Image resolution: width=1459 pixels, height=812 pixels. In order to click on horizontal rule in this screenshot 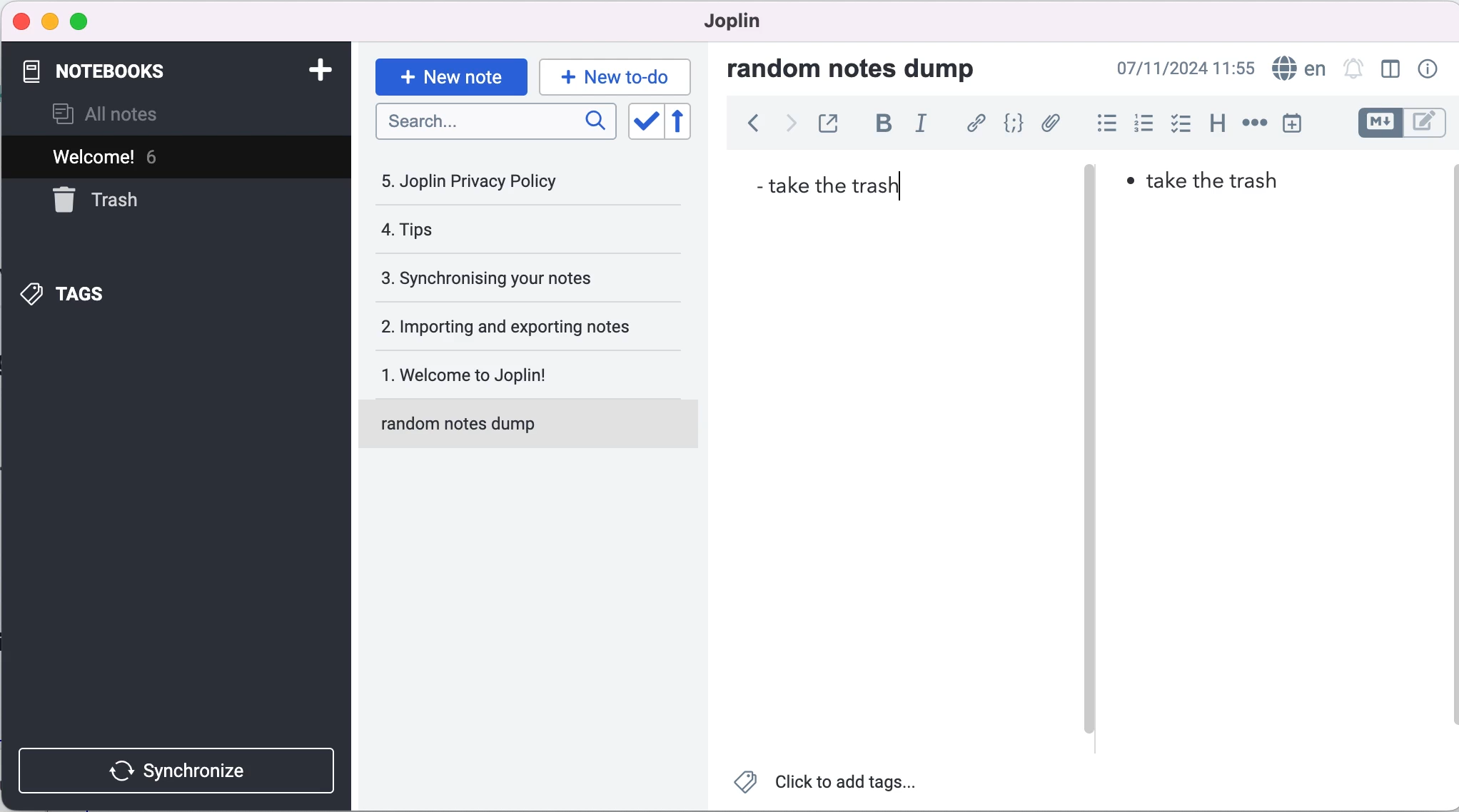, I will do `click(1254, 123)`.